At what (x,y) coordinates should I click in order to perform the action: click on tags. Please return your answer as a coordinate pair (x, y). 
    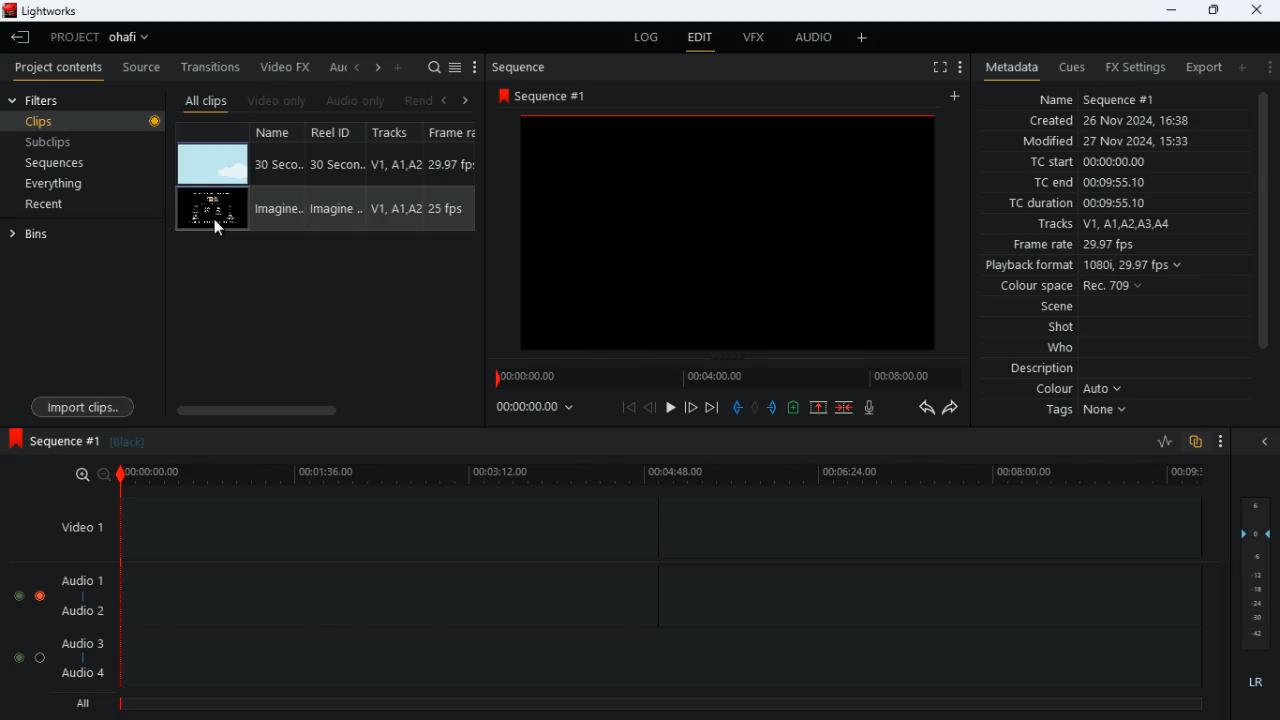
    Looking at the image, I should click on (1083, 416).